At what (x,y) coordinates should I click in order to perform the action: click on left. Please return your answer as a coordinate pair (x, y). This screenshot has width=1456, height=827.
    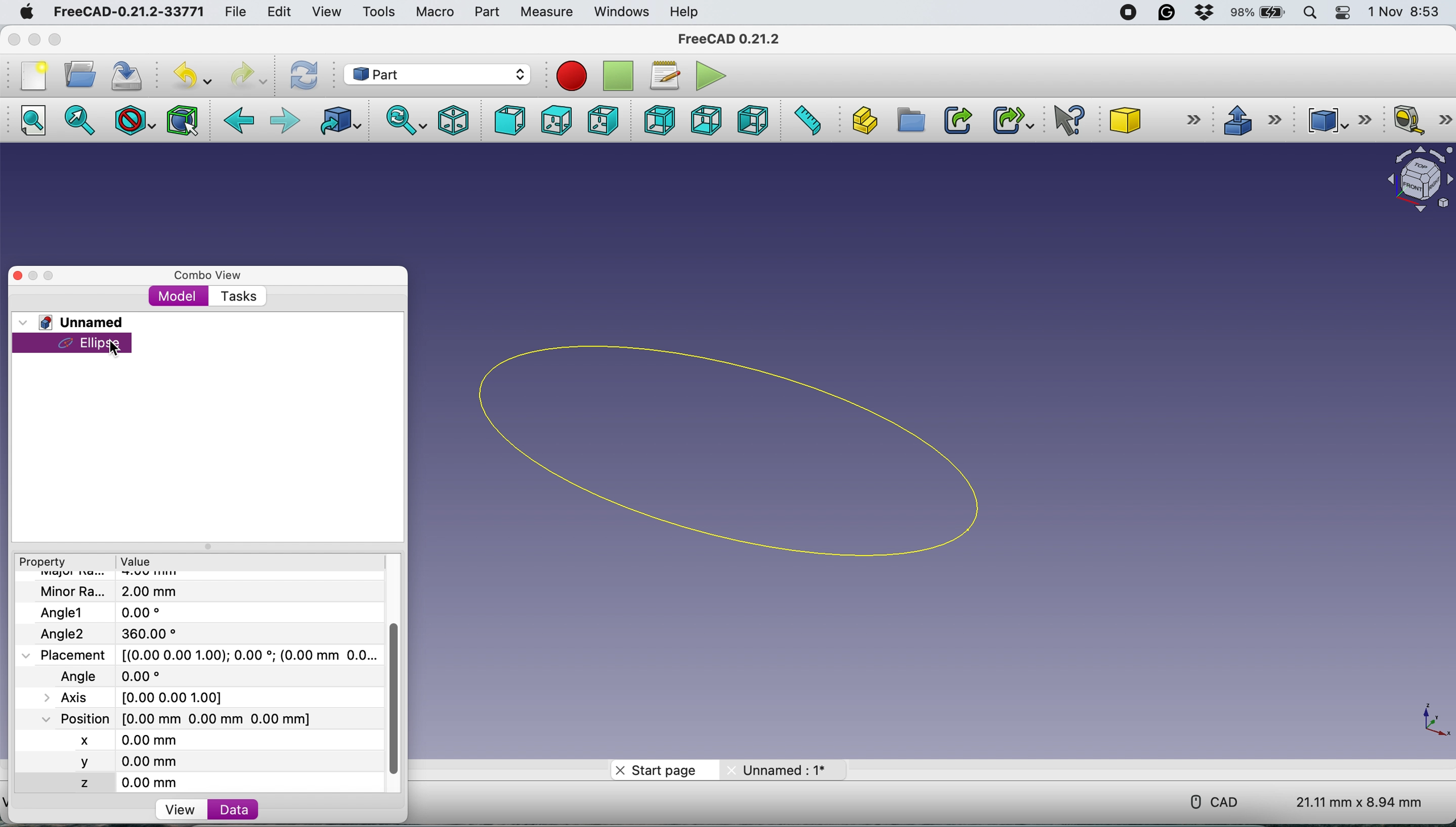
    Looking at the image, I should click on (752, 120).